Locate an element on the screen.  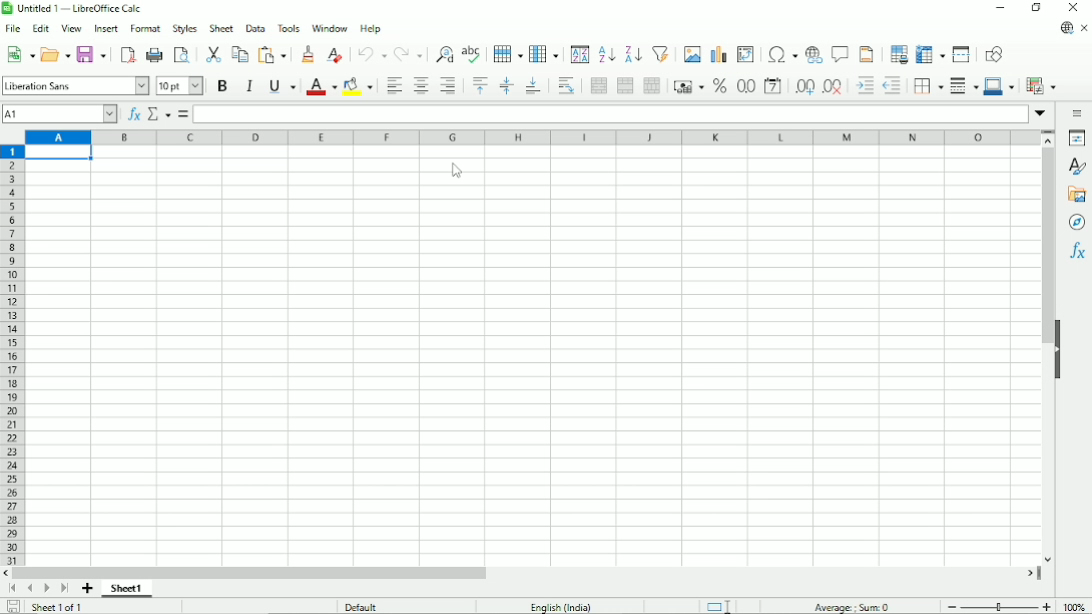
Copy is located at coordinates (239, 54).